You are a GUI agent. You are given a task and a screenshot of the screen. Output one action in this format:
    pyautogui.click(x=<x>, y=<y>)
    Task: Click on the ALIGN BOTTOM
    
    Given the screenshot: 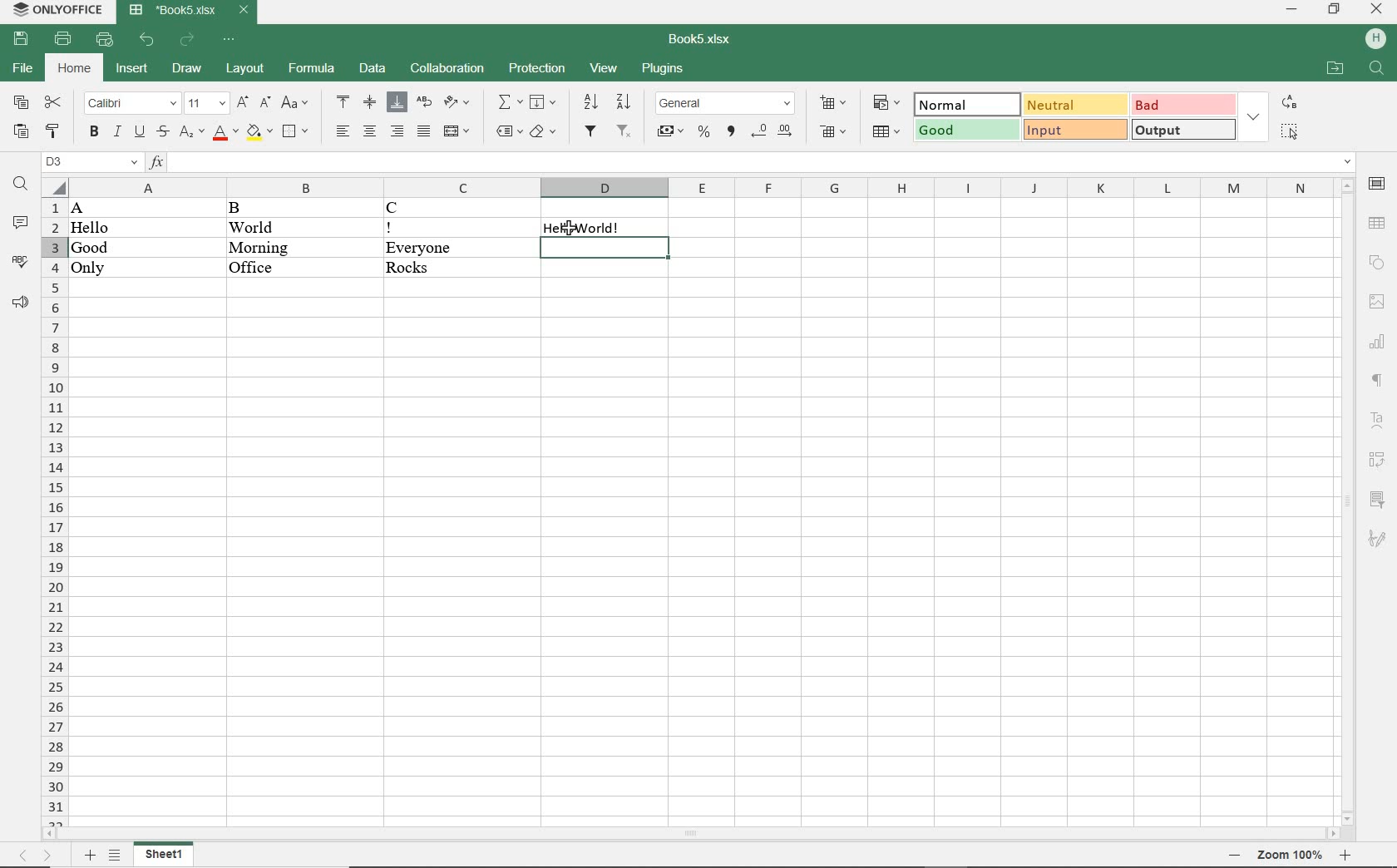 What is the action you would take?
    pyautogui.click(x=397, y=104)
    